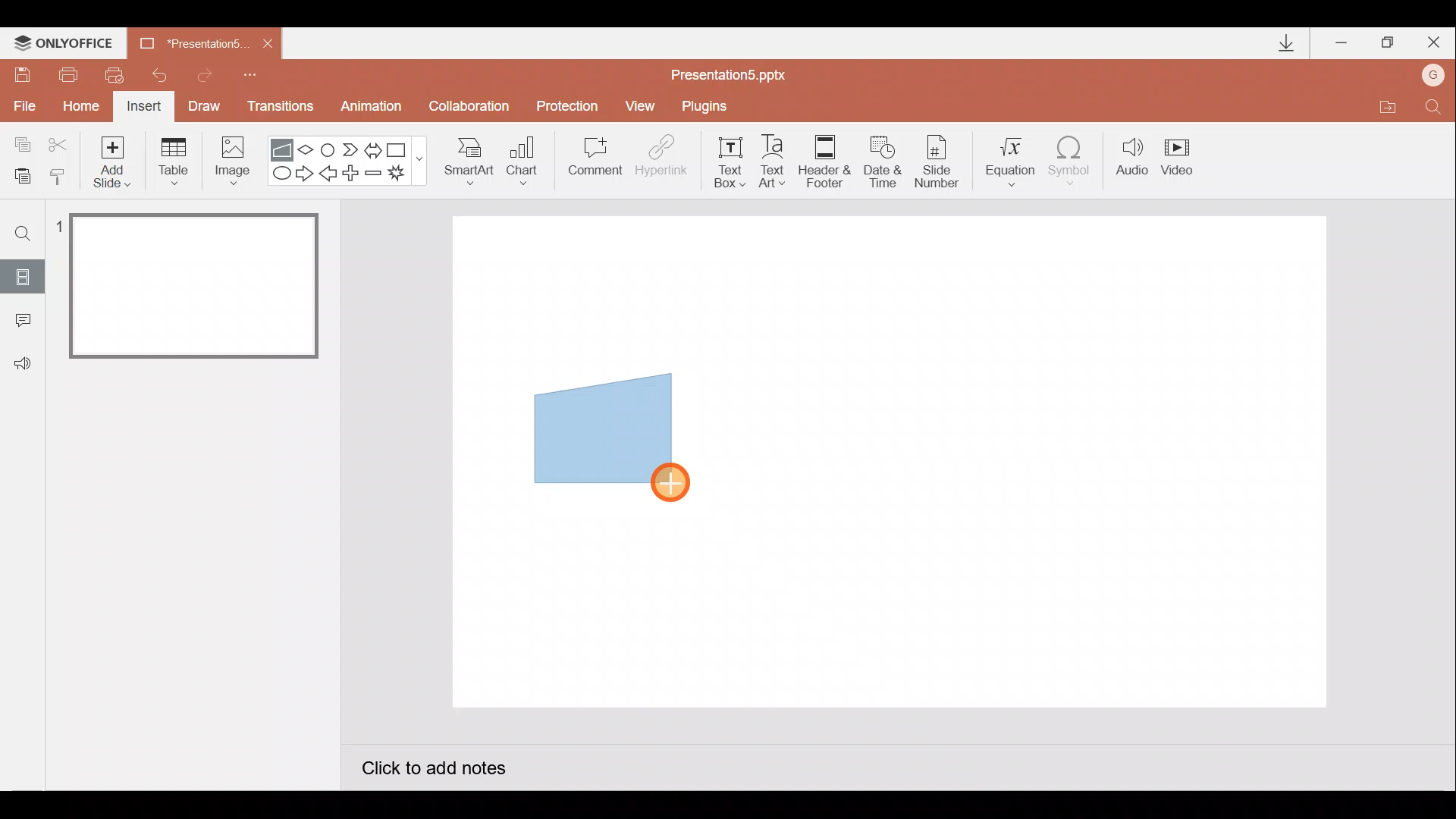 Image resolution: width=1456 pixels, height=819 pixels. I want to click on Hyperlink, so click(663, 161).